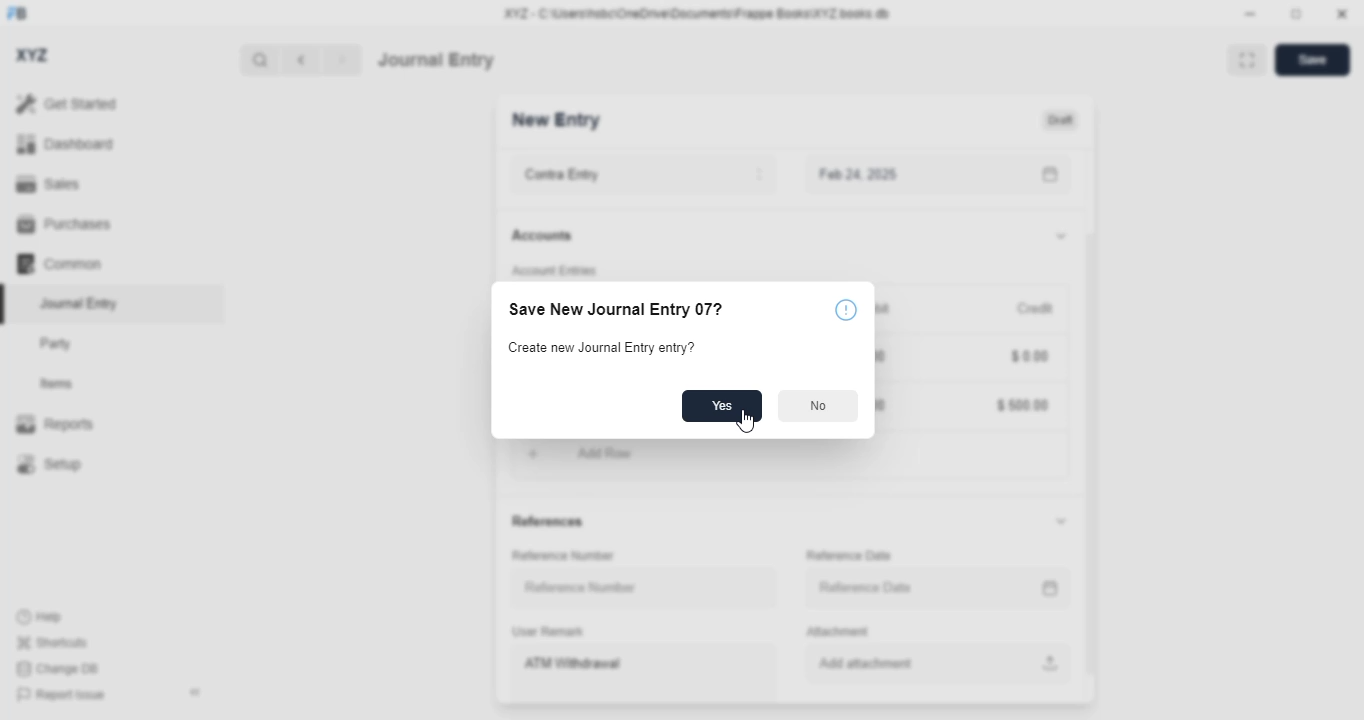 The image size is (1364, 720). I want to click on ATM withdrawal, so click(643, 674).